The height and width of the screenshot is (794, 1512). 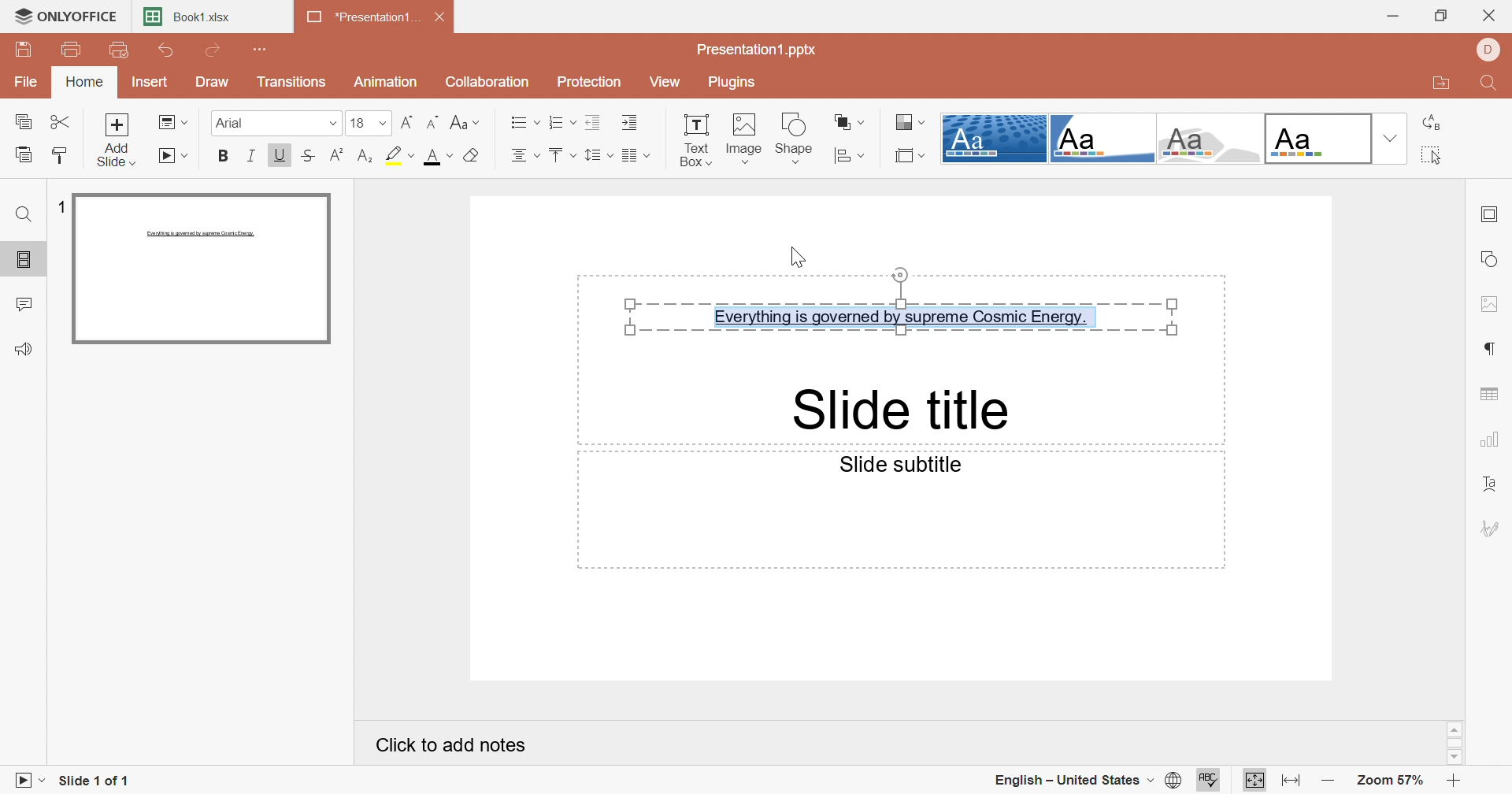 What do you see at coordinates (445, 744) in the screenshot?
I see `Click to add notes` at bounding box center [445, 744].